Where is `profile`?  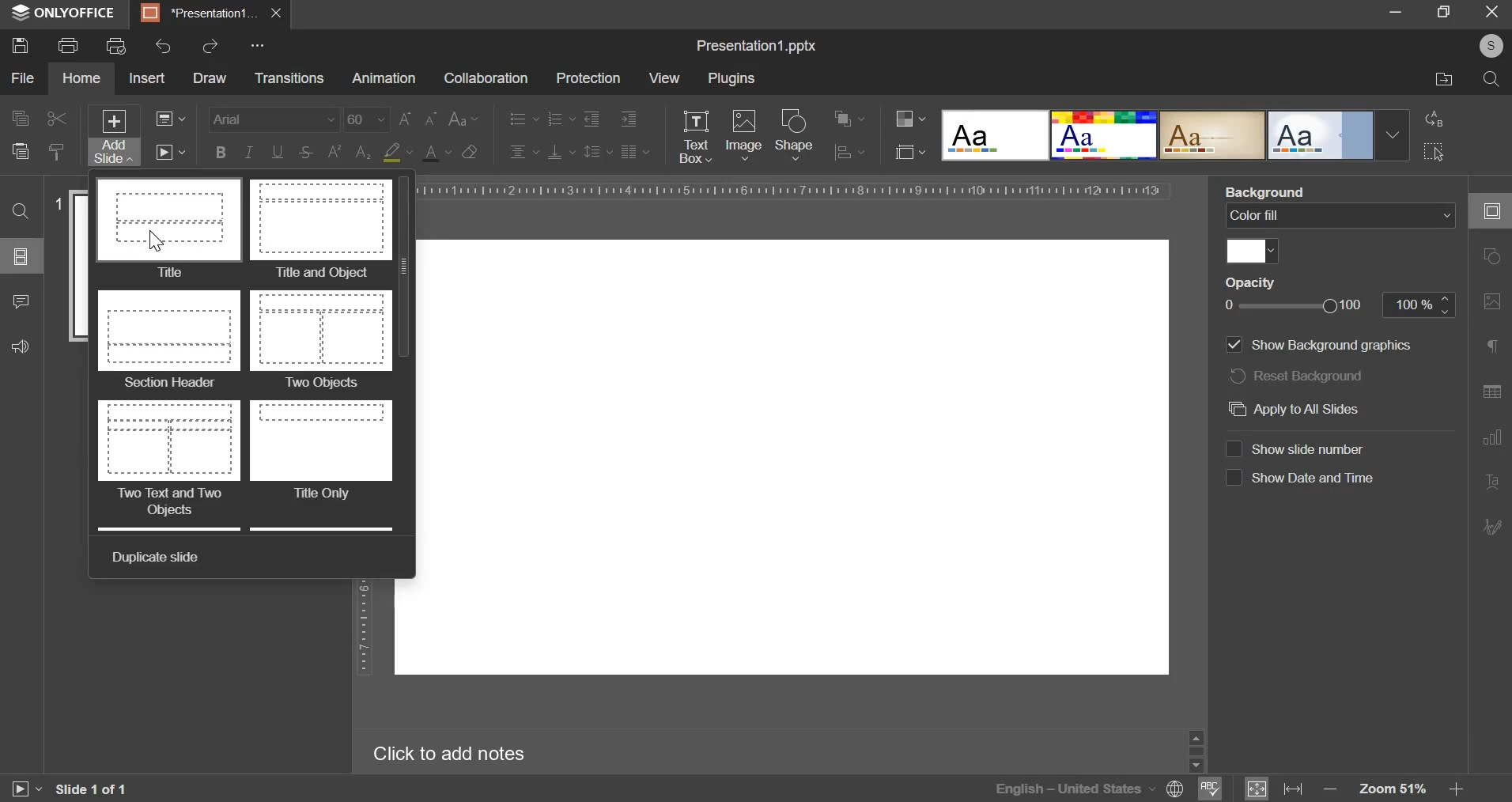 profile is located at coordinates (1487, 47).